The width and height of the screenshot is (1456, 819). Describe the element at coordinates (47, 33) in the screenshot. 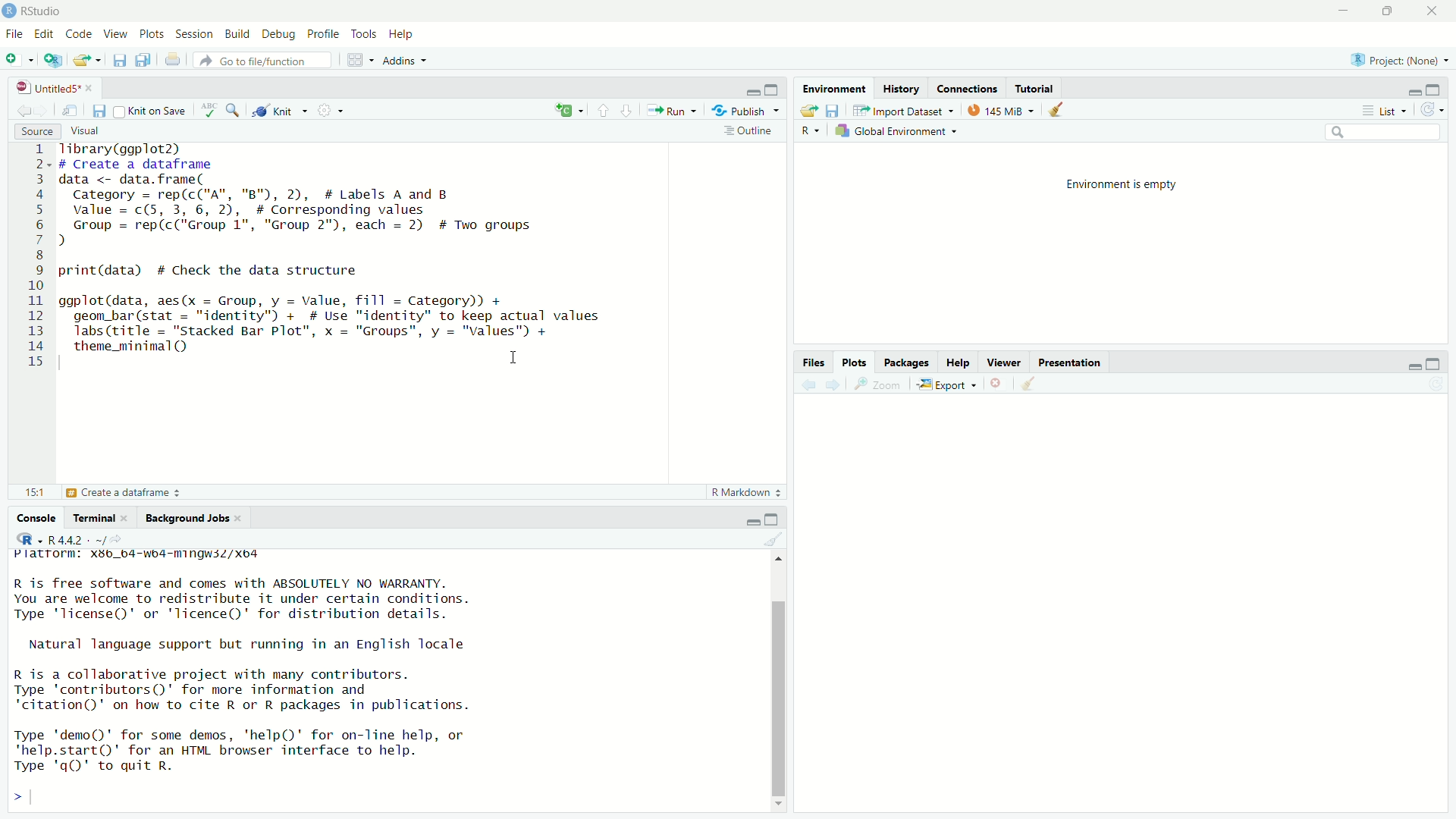

I see `Edit` at that location.